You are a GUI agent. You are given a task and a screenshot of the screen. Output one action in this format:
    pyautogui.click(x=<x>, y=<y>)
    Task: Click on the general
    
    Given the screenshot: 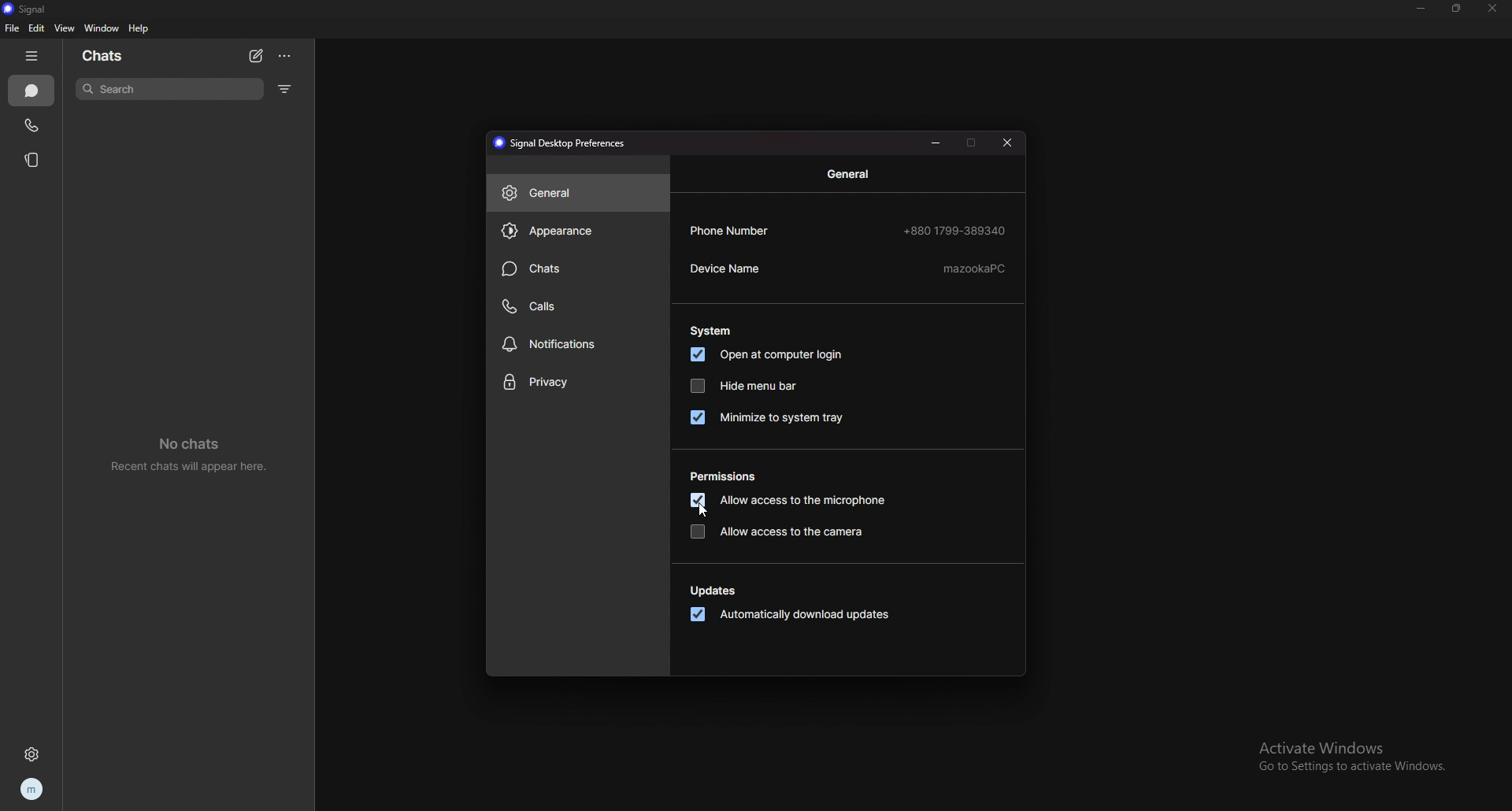 What is the action you would take?
    pyautogui.click(x=854, y=173)
    